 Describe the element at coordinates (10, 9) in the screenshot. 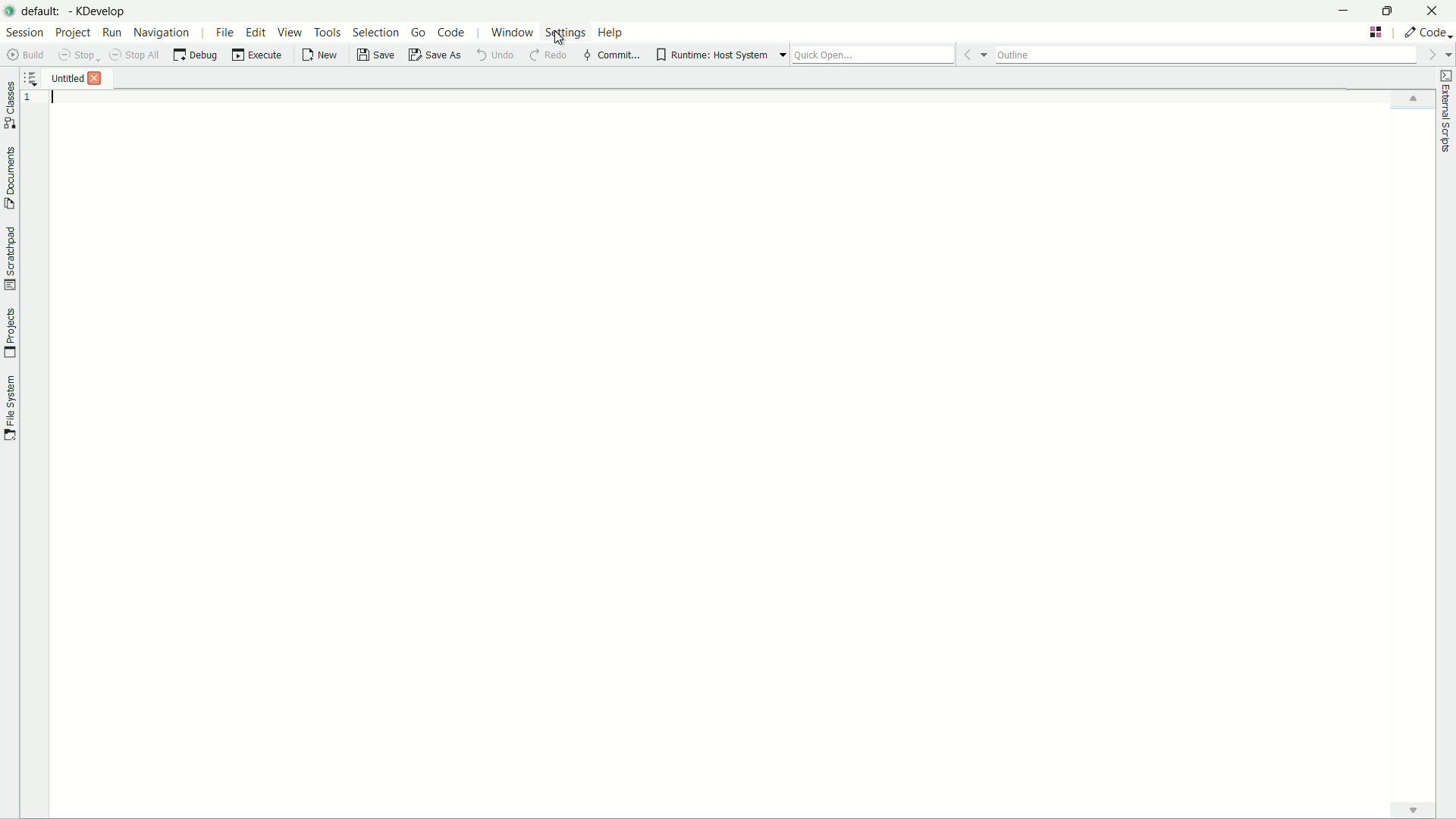

I see `app icon` at that location.